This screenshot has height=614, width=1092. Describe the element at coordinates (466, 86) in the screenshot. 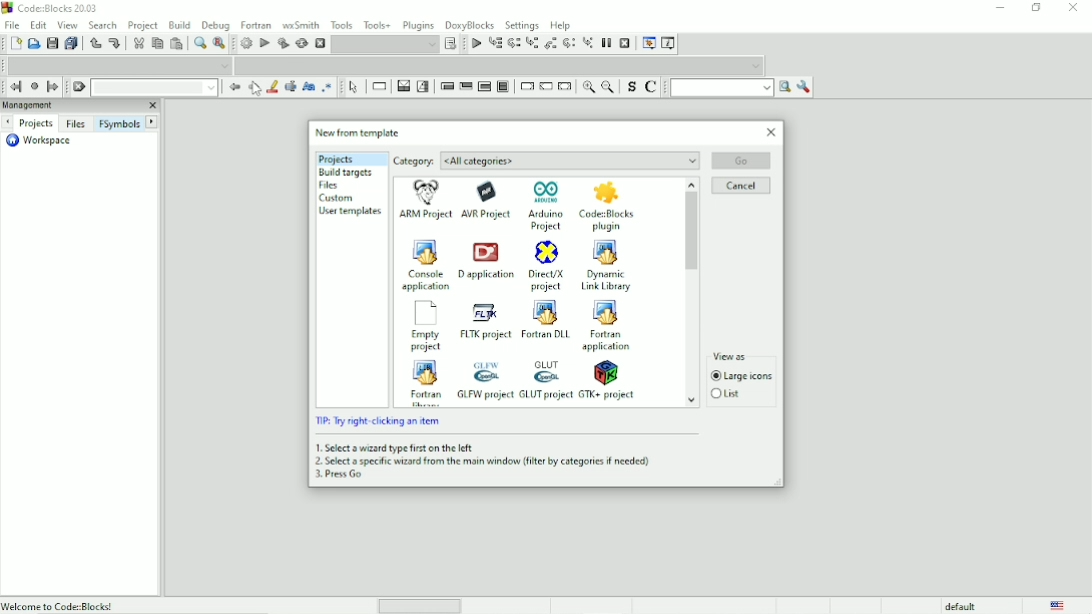

I see `Exit condition loop` at that location.